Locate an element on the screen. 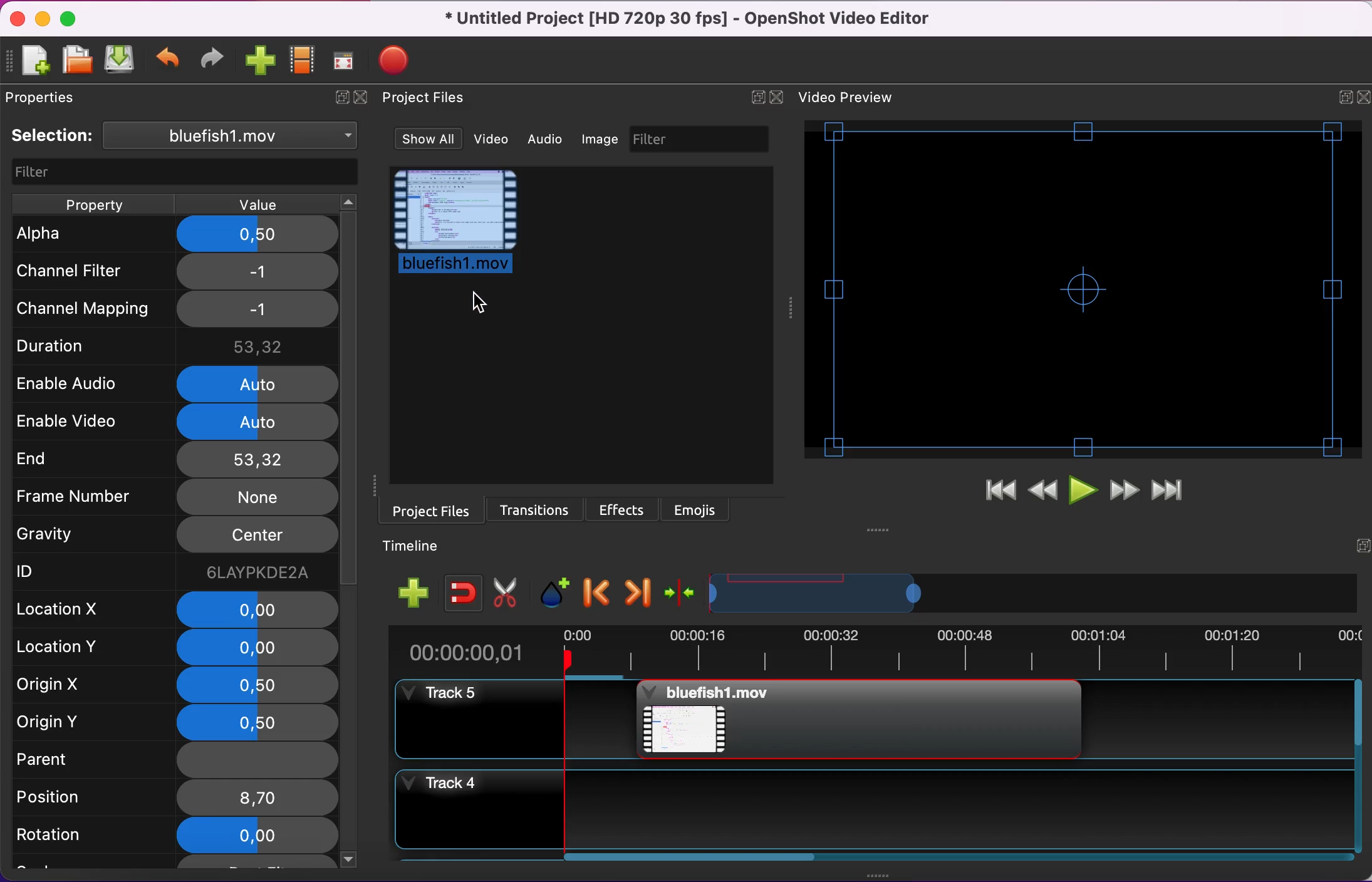 Image resolution: width=1372 pixels, height=882 pixels. location y is located at coordinates (76, 650).